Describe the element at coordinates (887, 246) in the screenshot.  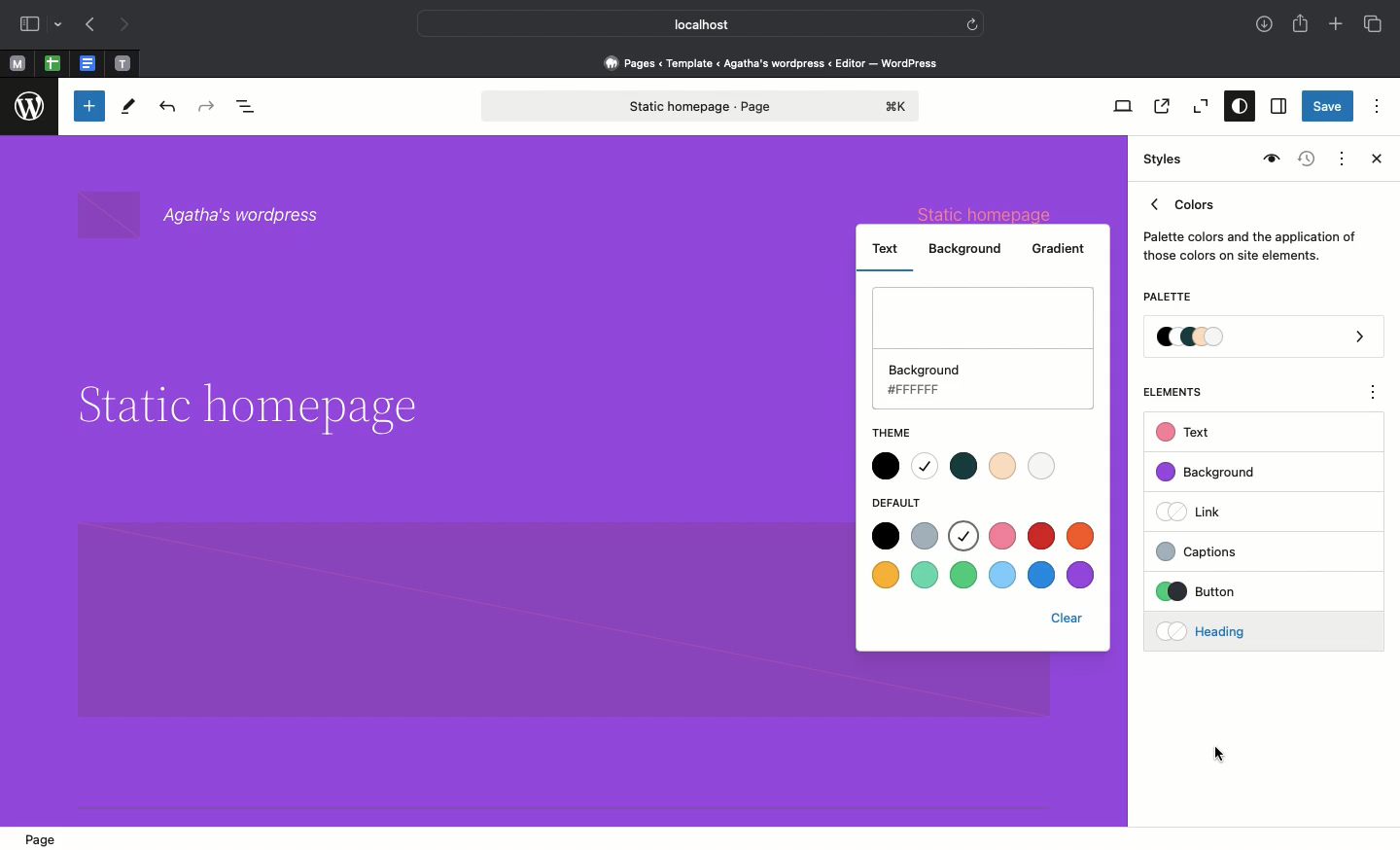
I see `Text` at that location.